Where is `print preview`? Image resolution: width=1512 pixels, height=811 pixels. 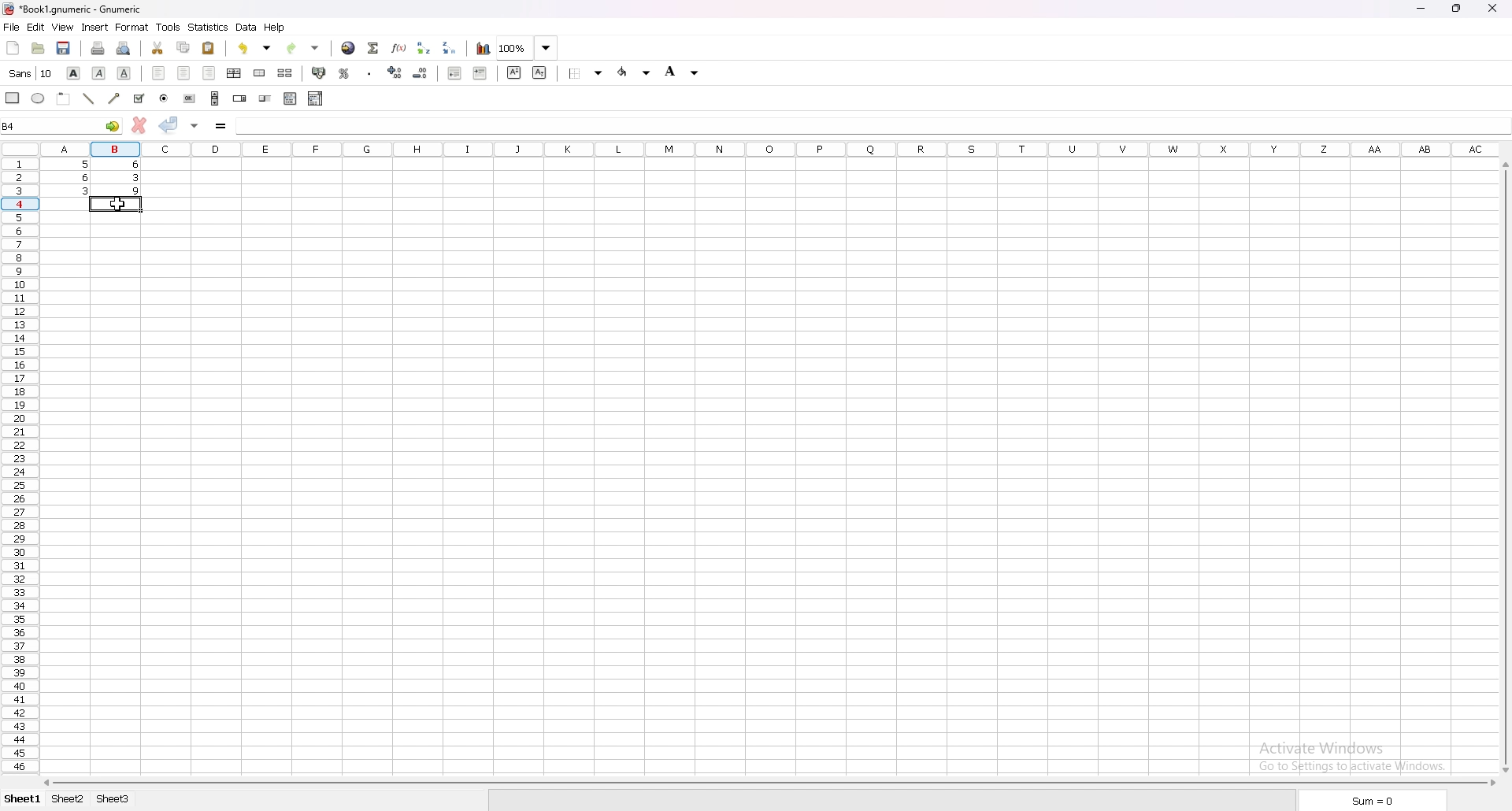
print preview is located at coordinates (124, 47).